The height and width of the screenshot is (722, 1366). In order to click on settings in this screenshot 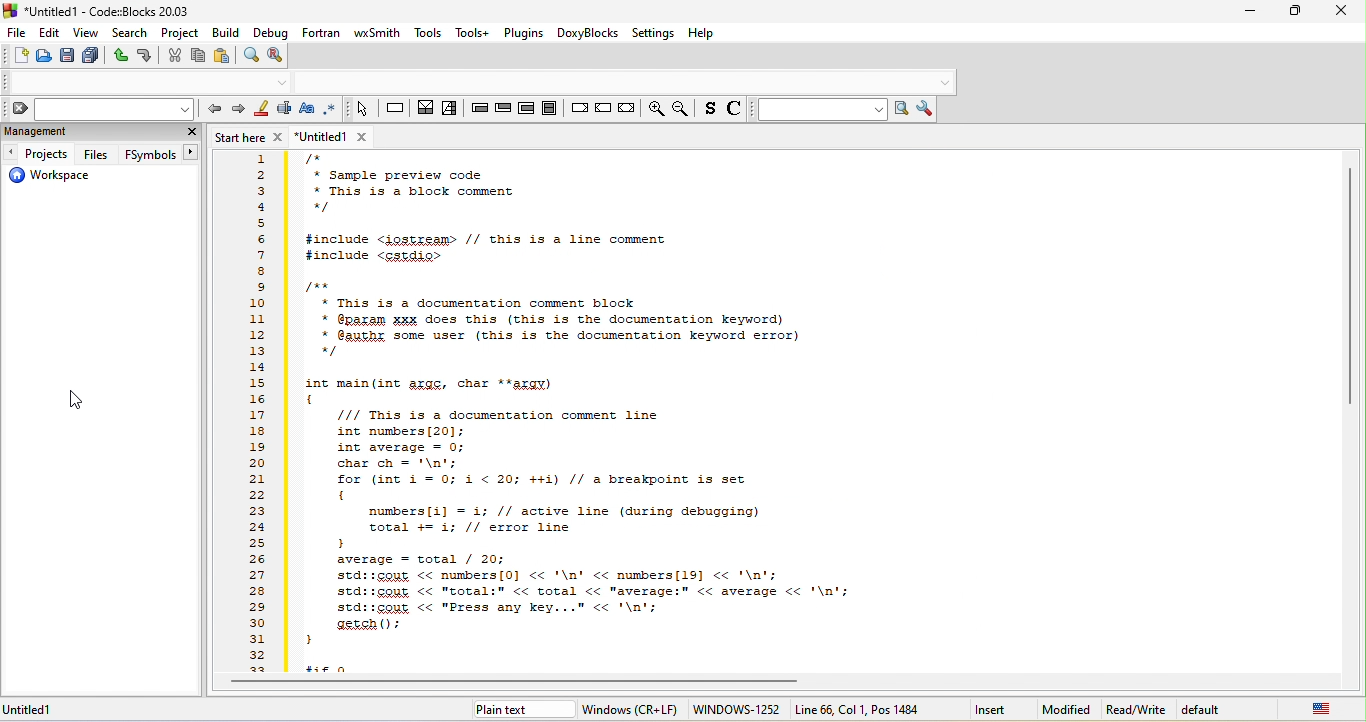, I will do `click(653, 34)`.